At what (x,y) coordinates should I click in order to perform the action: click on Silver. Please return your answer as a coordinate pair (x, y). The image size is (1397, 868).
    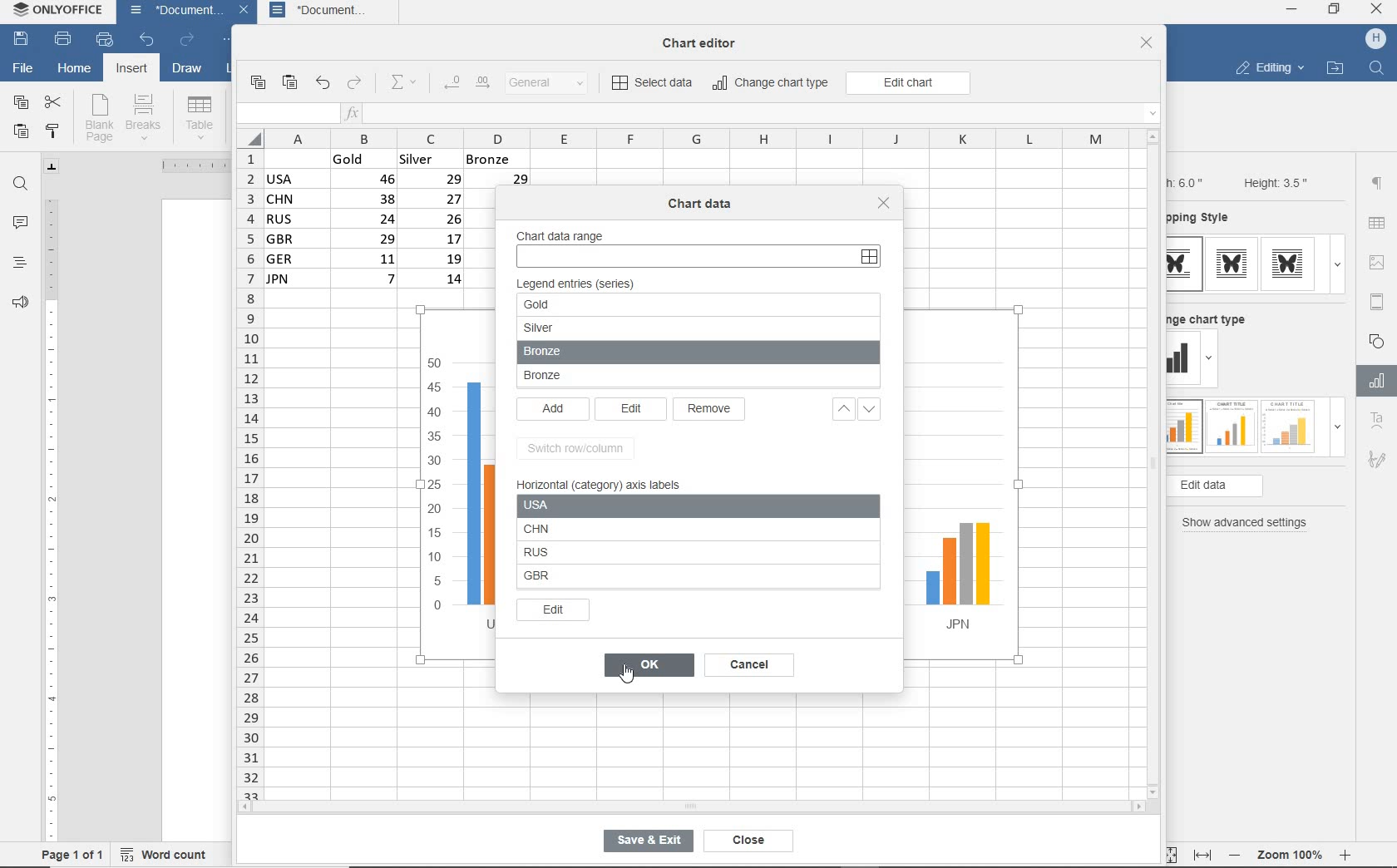
    Looking at the image, I should click on (612, 328).